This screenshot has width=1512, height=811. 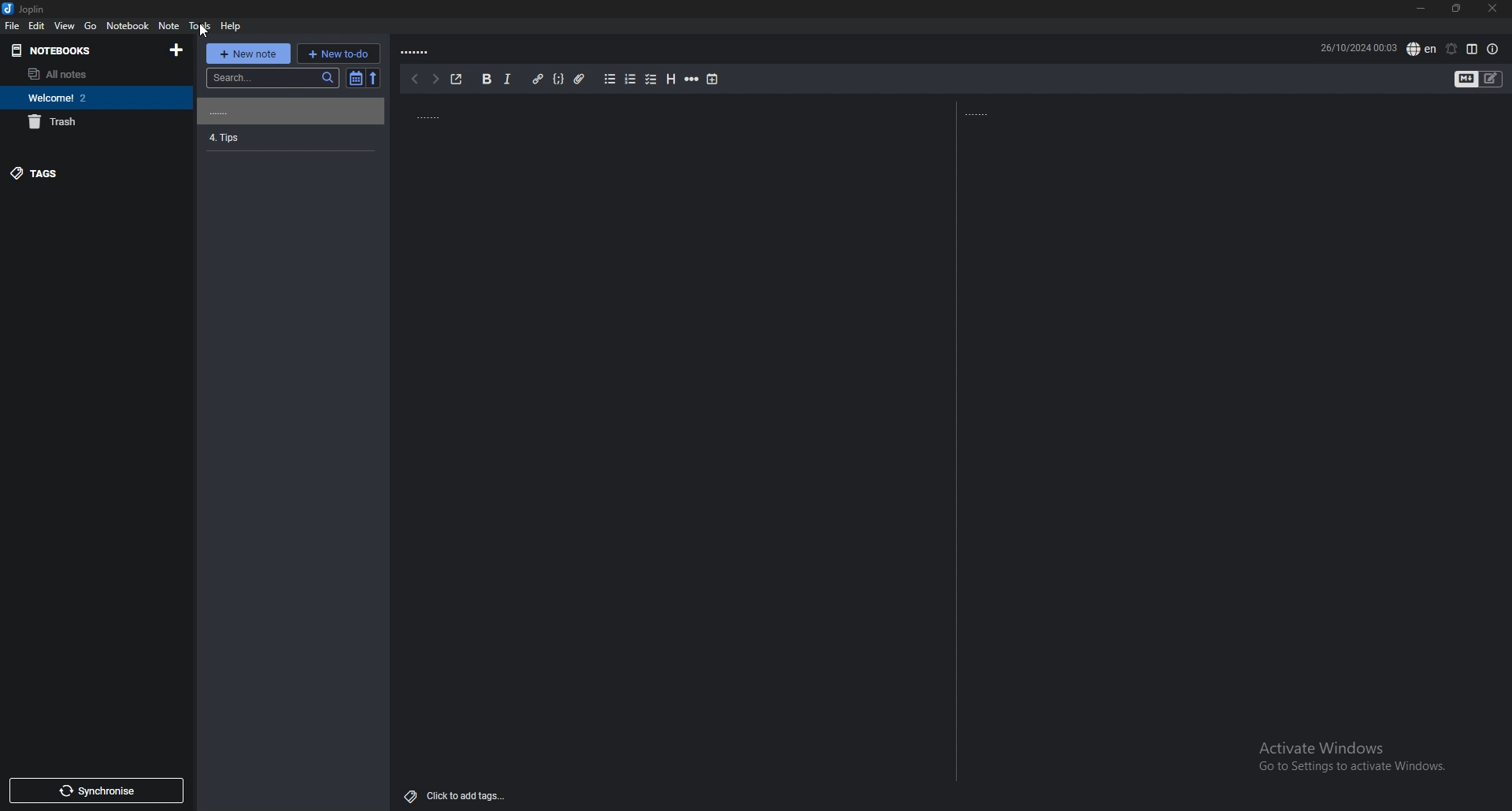 I want to click on toggle editors, so click(x=1466, y=80).